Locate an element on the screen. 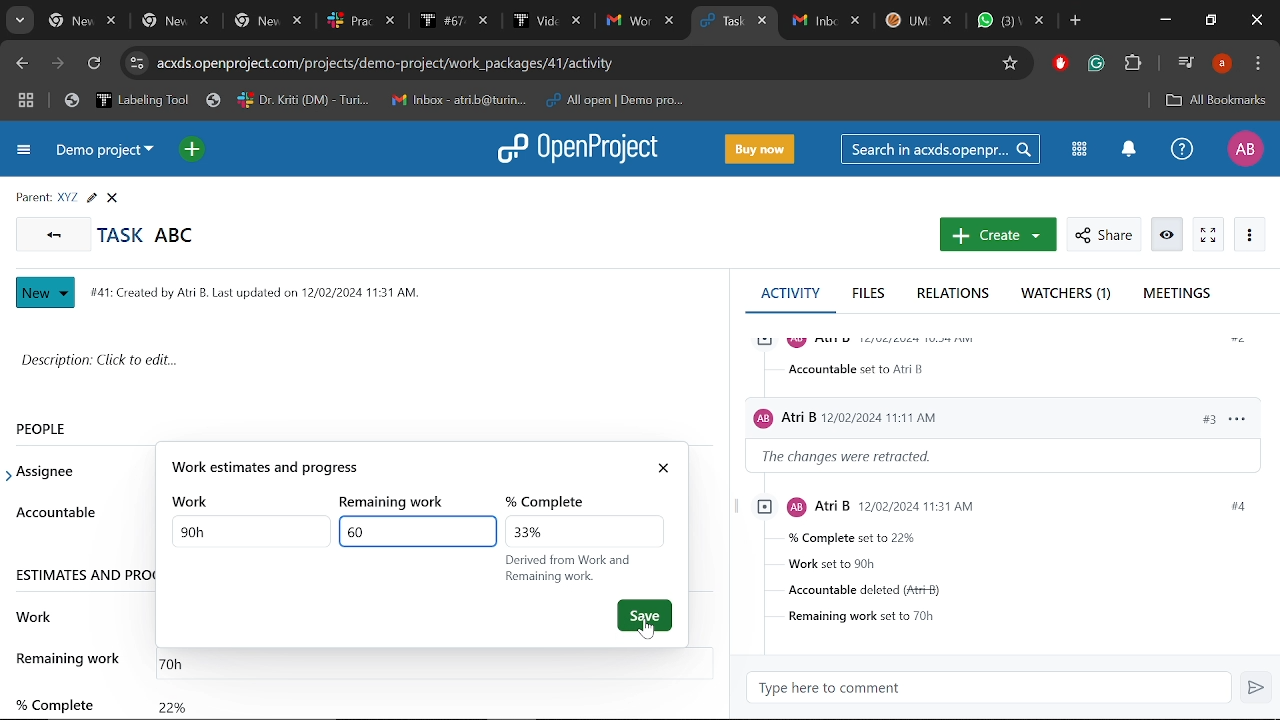  Save is located at coordinates (645, 611).